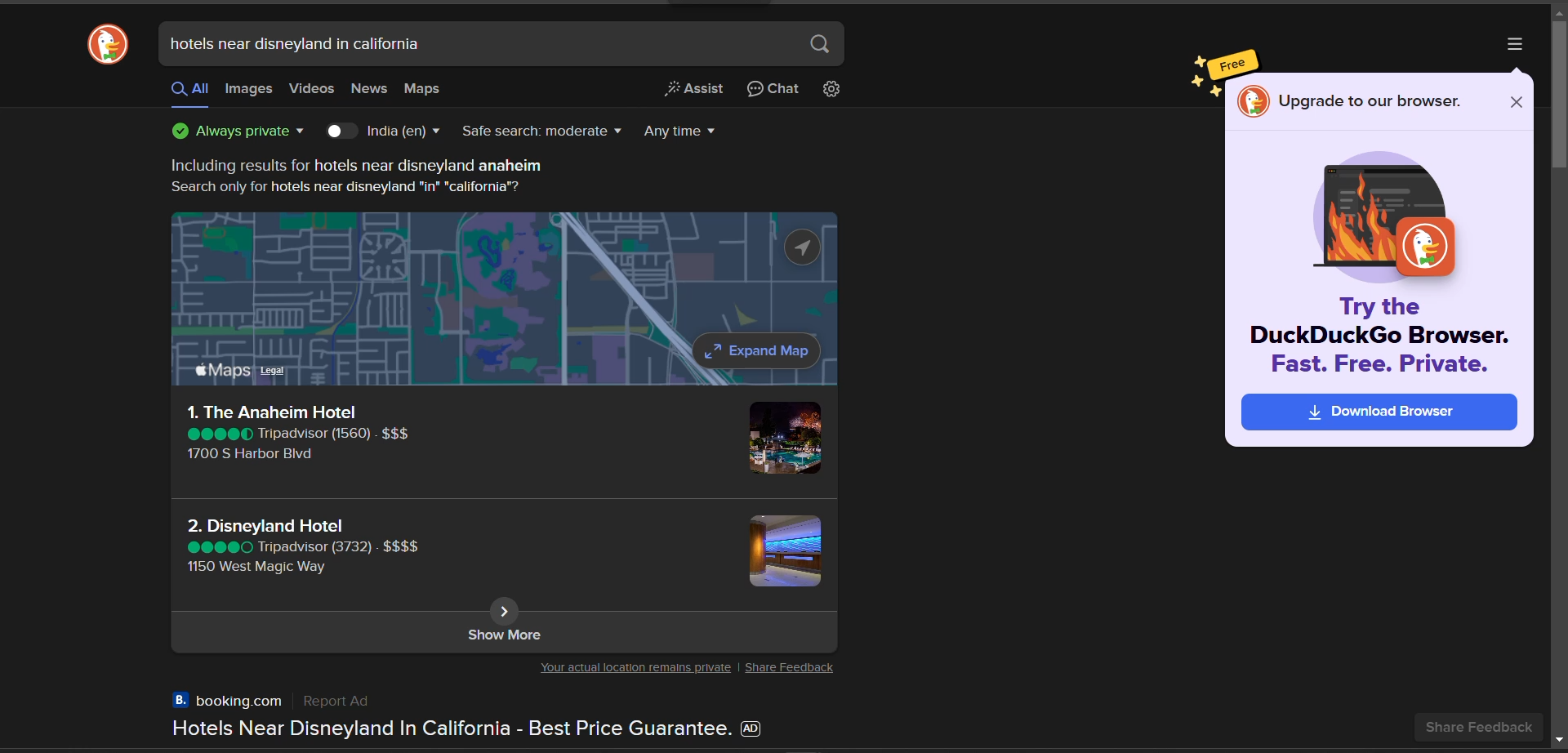  Describe the element at coordinates (1558, 93) in the screenshot. I see `vertical scroll bar` at that location.